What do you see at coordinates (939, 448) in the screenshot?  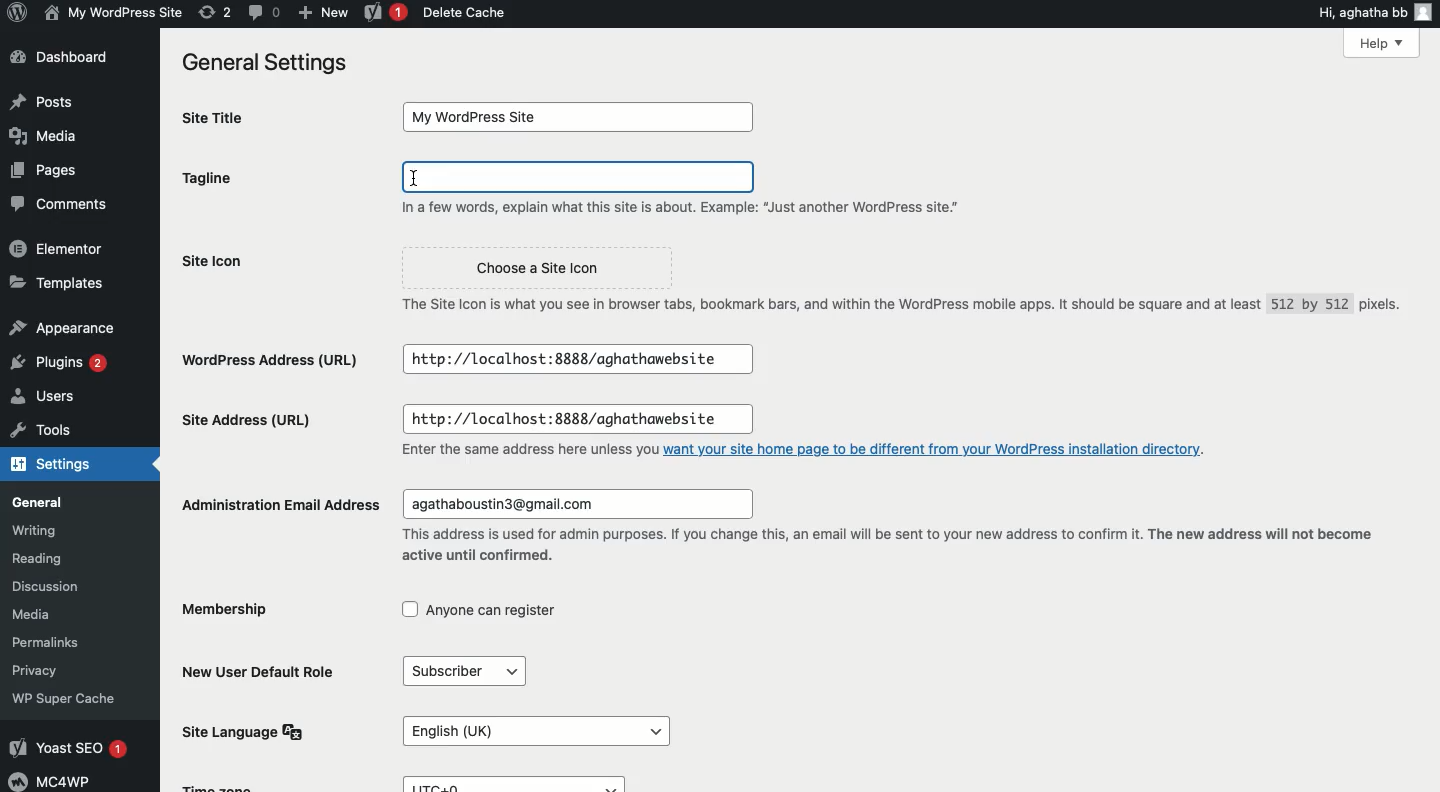 I see `want your site home page to be different from your WordPress installation directory.` at bounding box center [939, 448].